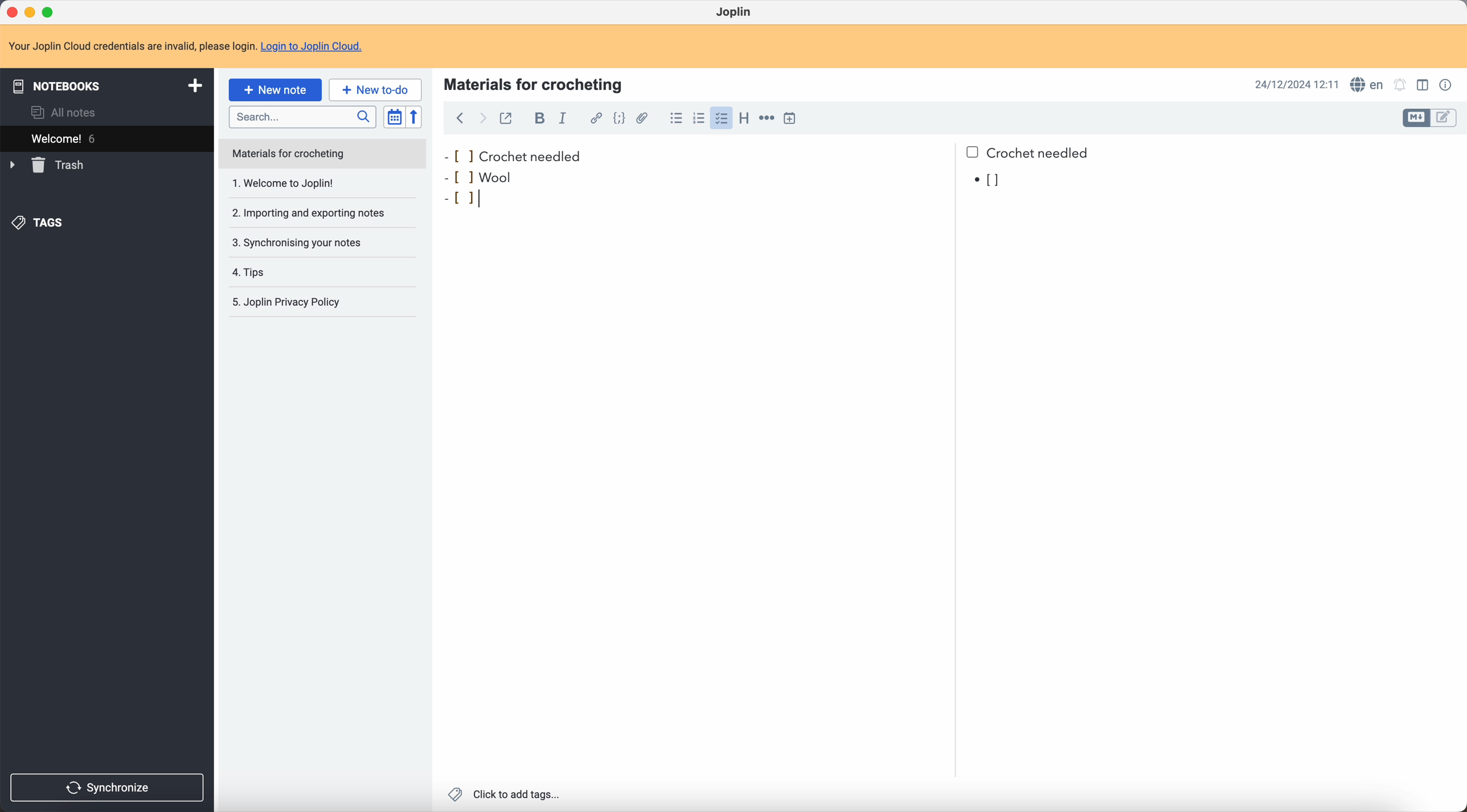 This screenshot has width=1467, height=812. Describe the element at coordinates (32, 13) in the screenshot. I see `minimize` at that location.